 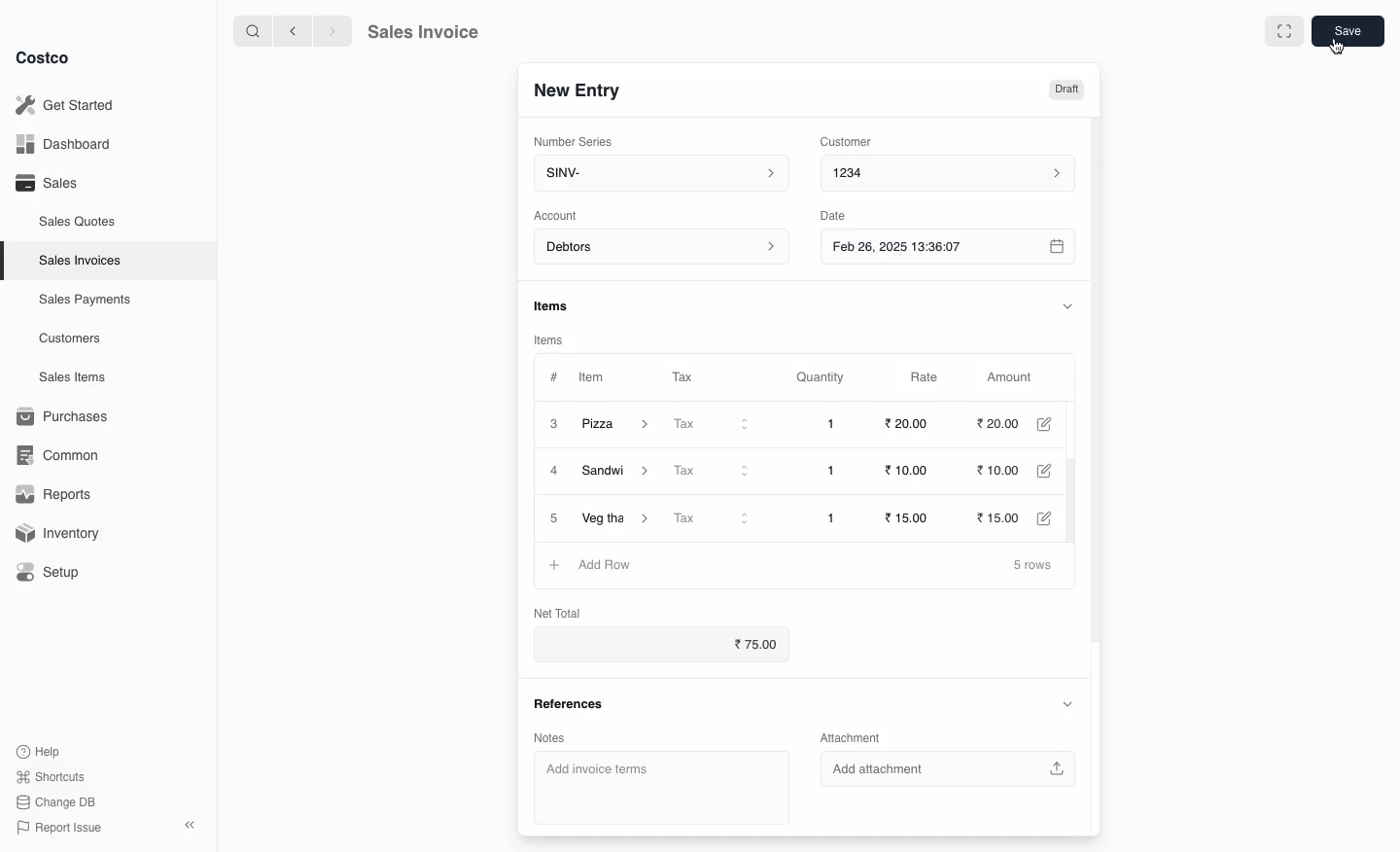 What do you see at coordinates (77, 377) in the screenshot?
I see `Sales Items` at bounding box center [77, 377].